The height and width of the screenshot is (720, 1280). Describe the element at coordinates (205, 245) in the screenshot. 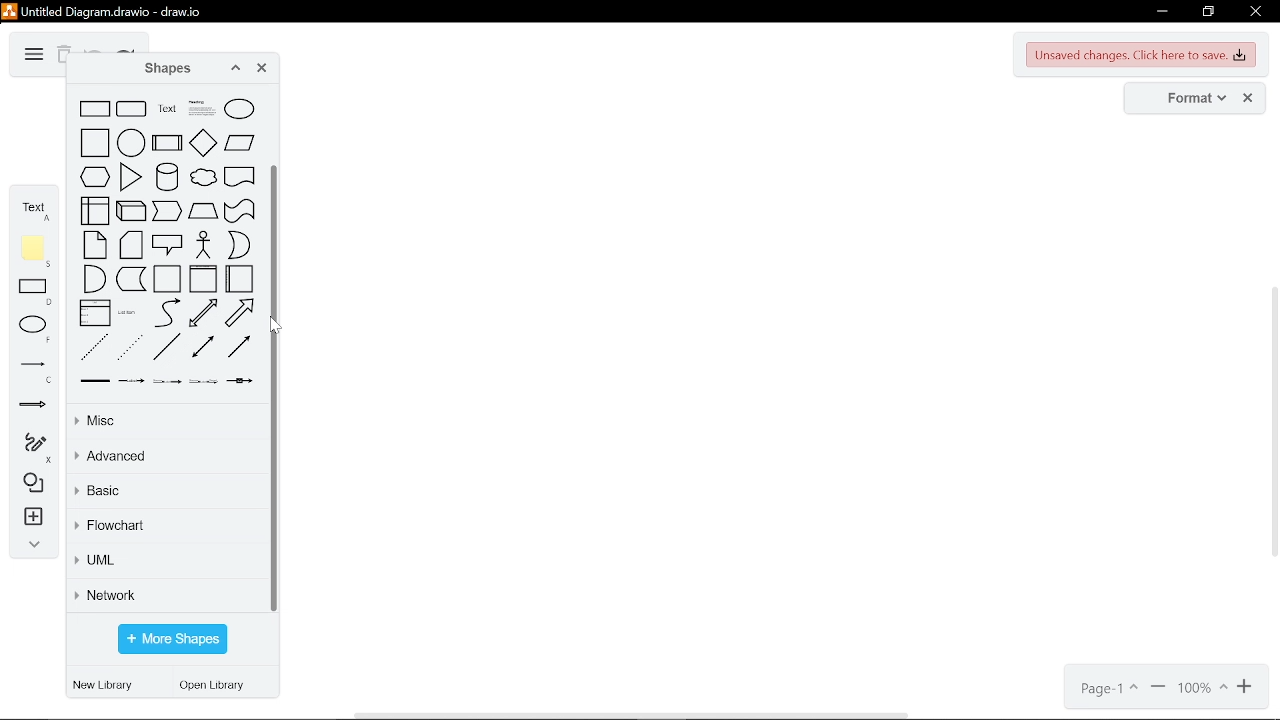

I see `actor` at that location.